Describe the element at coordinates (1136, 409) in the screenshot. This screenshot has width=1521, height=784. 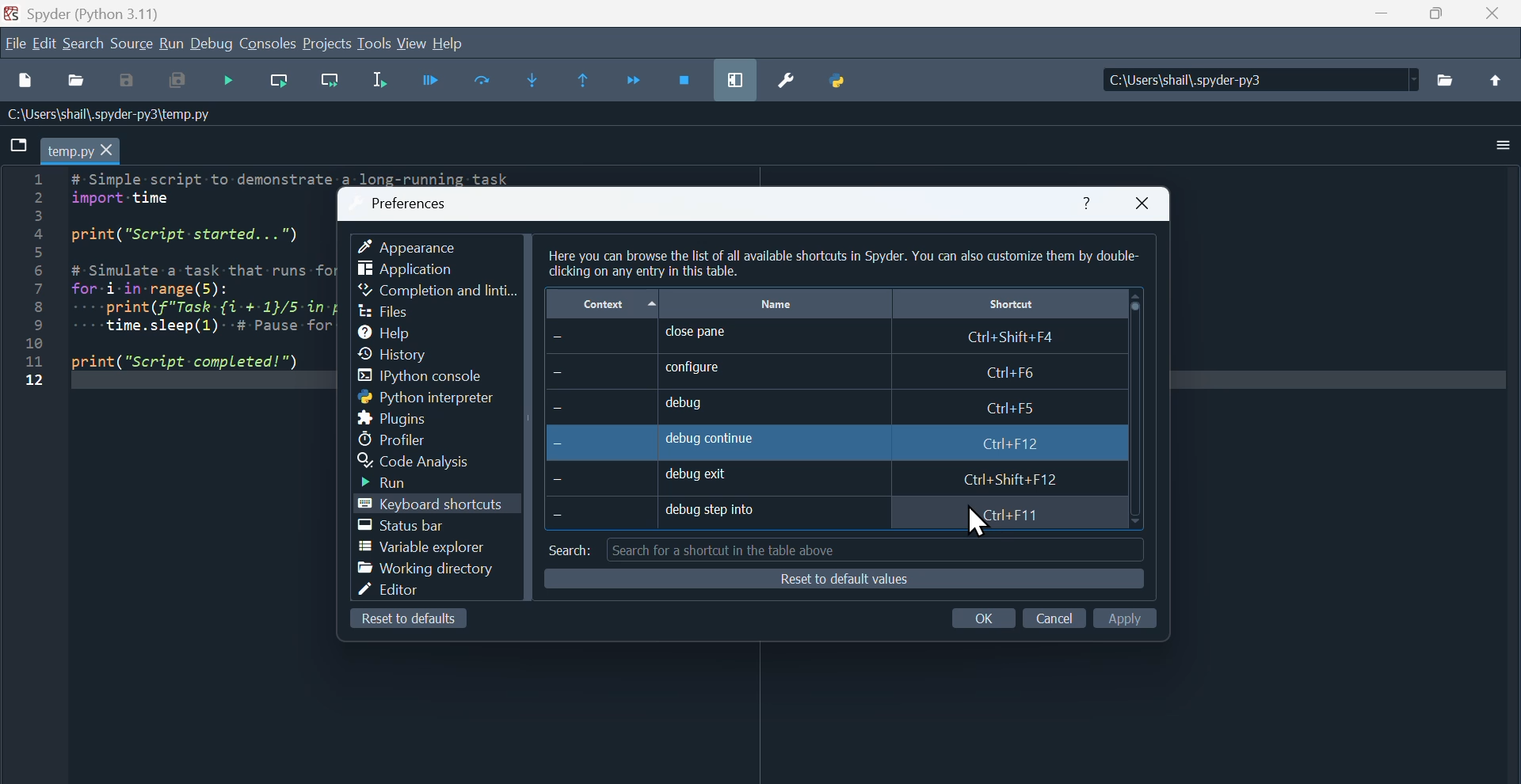
I see `Scroller` at that location.